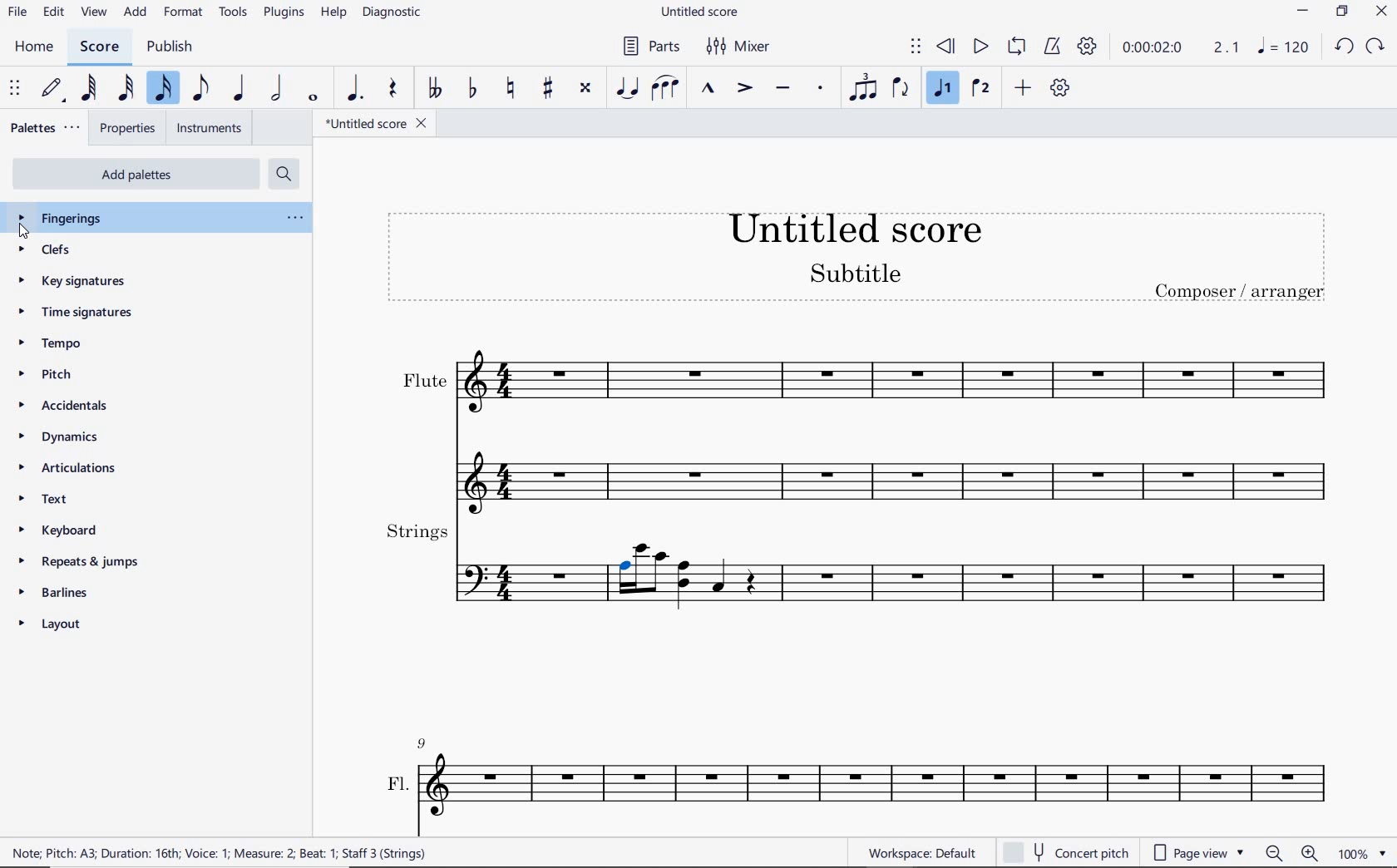 The image size is (1397, 868). I want to click on edit, so click(53, 10).